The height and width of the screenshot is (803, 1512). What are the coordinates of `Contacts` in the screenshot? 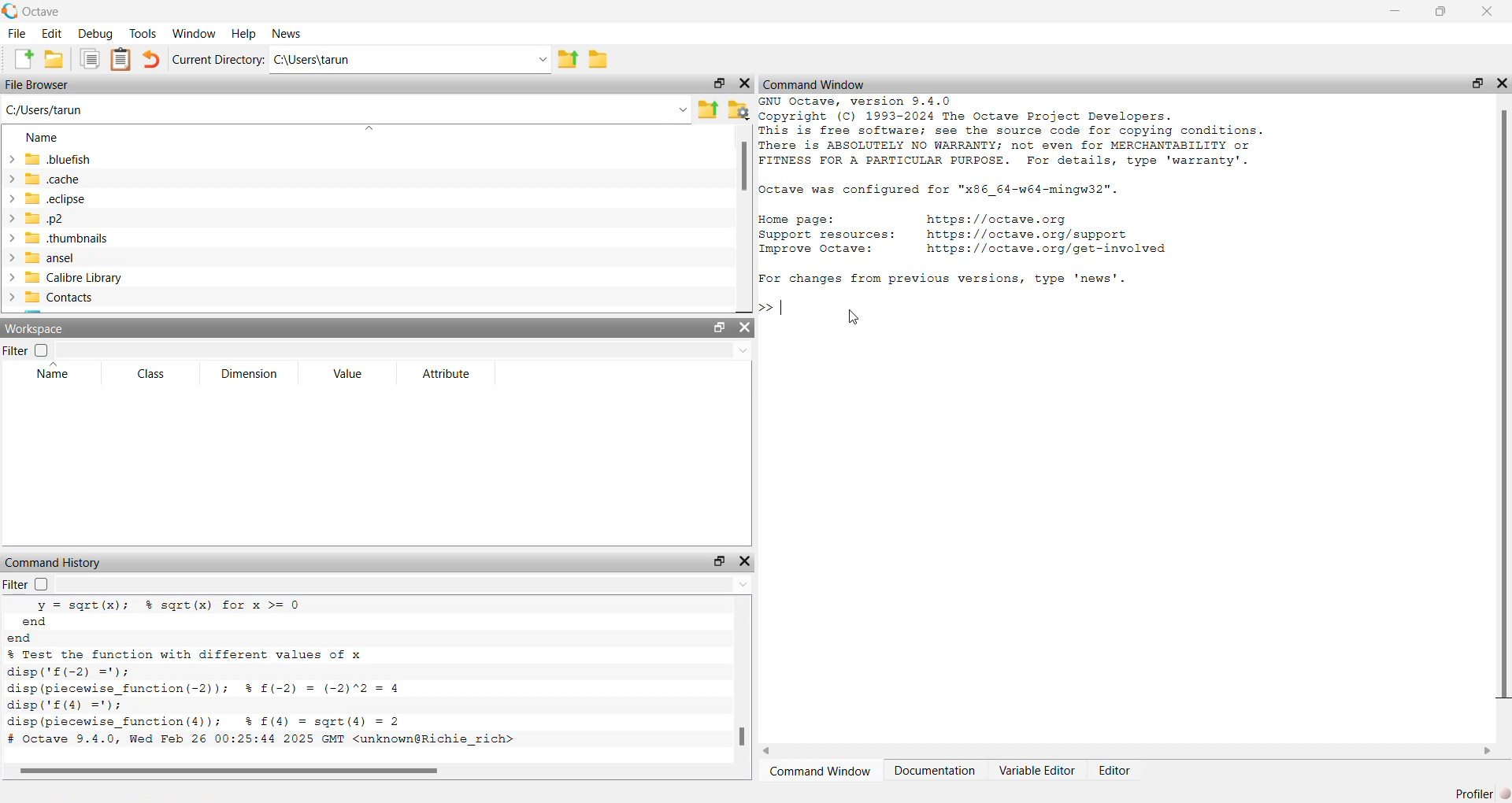 It's located at (57, 298).